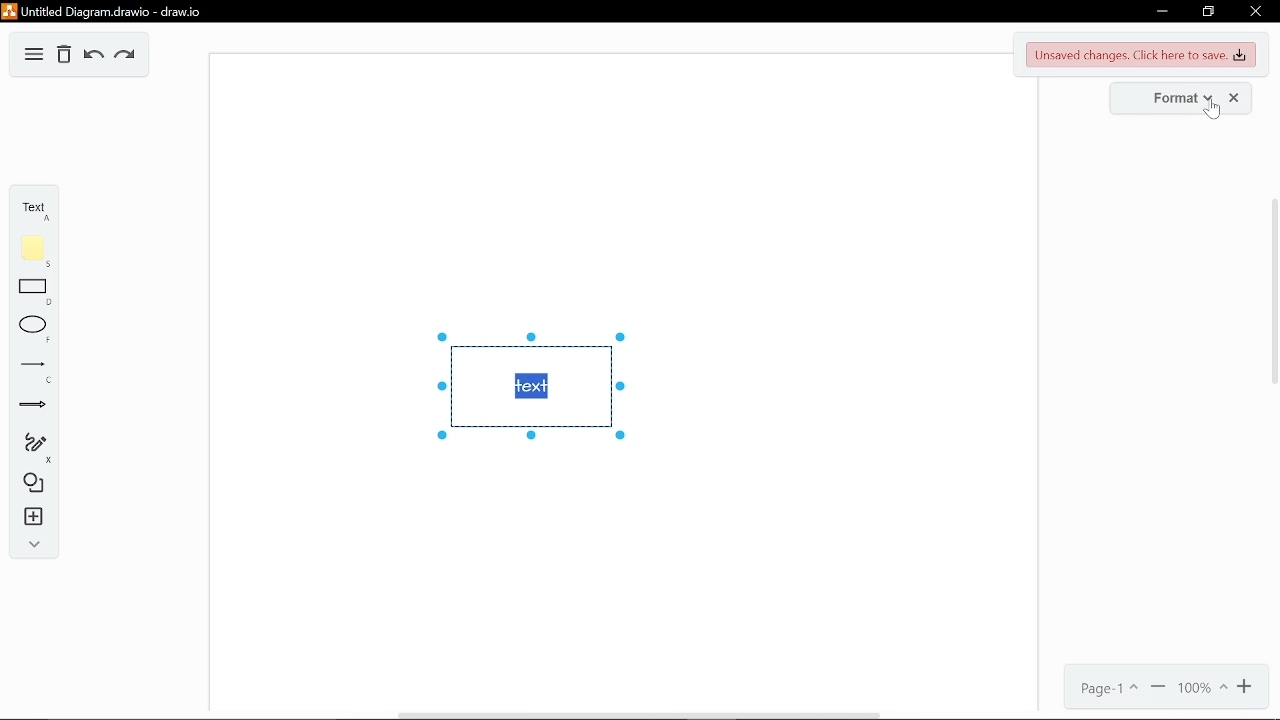  Describe the element at coordinates (29, 371) in the screenshot. I see `lines` at that location.